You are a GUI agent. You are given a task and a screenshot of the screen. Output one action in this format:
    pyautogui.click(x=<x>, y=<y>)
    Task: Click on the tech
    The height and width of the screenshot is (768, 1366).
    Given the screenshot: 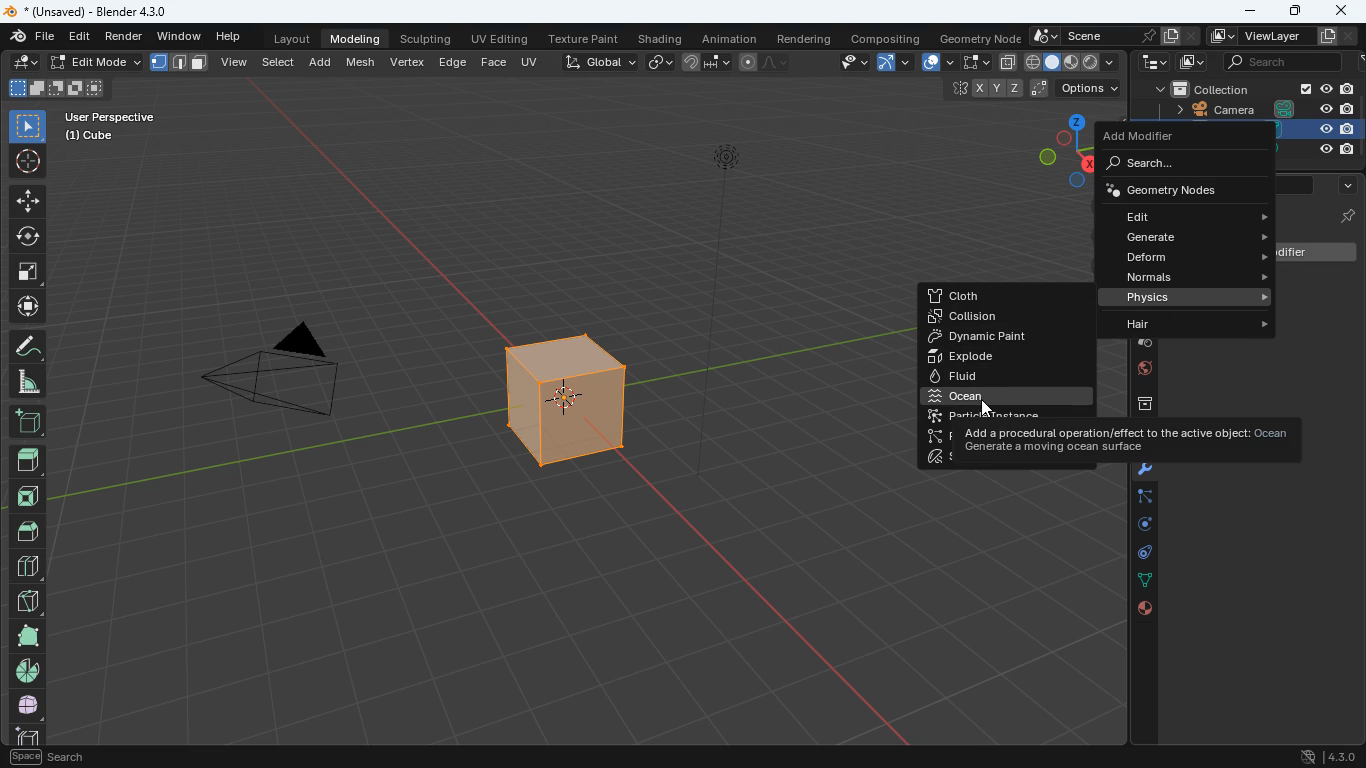 What is the action you would take?
    pyautogui.click(x=1151, y=62)
    